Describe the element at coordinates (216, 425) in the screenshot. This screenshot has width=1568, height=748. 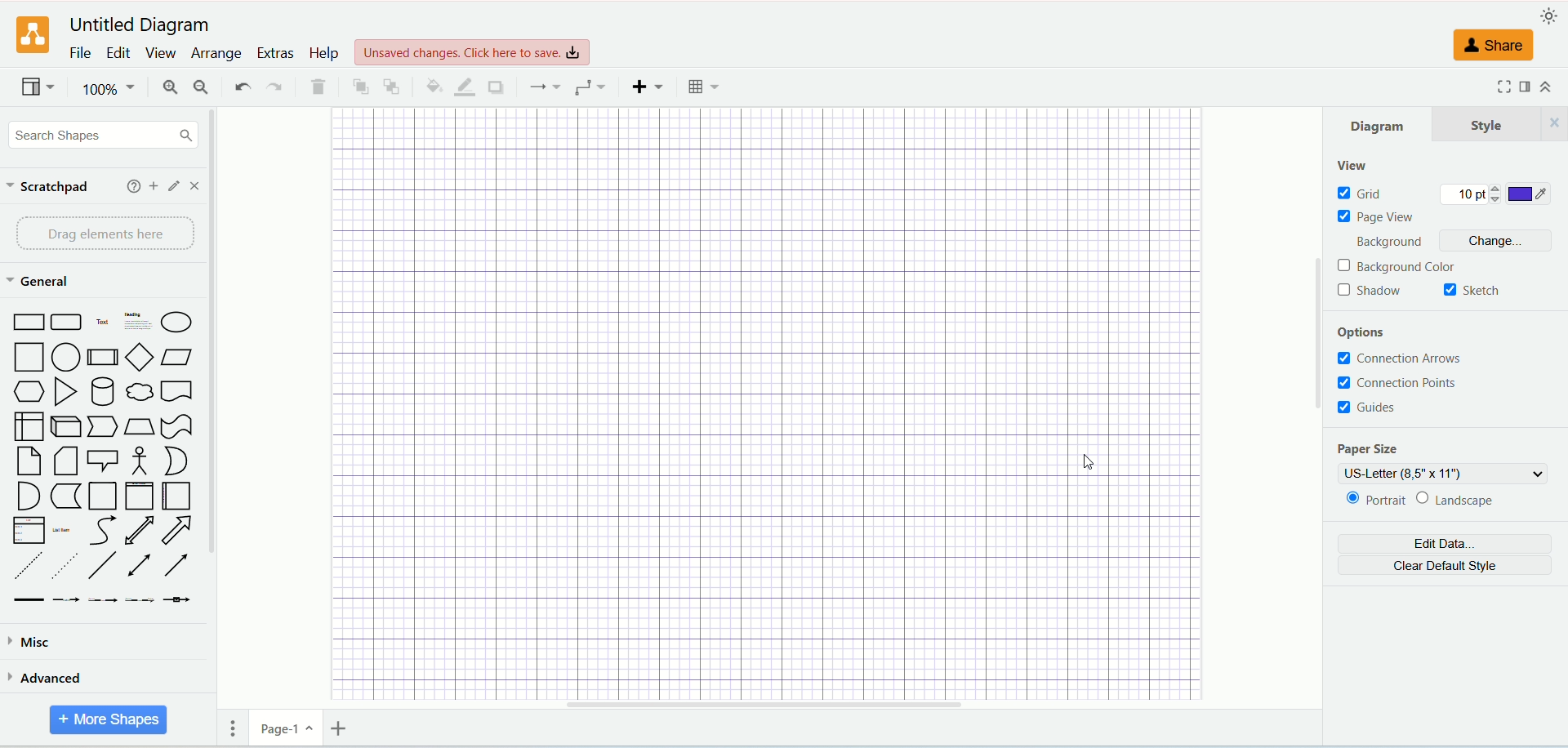
I see `vertical scroll bar` at that location.